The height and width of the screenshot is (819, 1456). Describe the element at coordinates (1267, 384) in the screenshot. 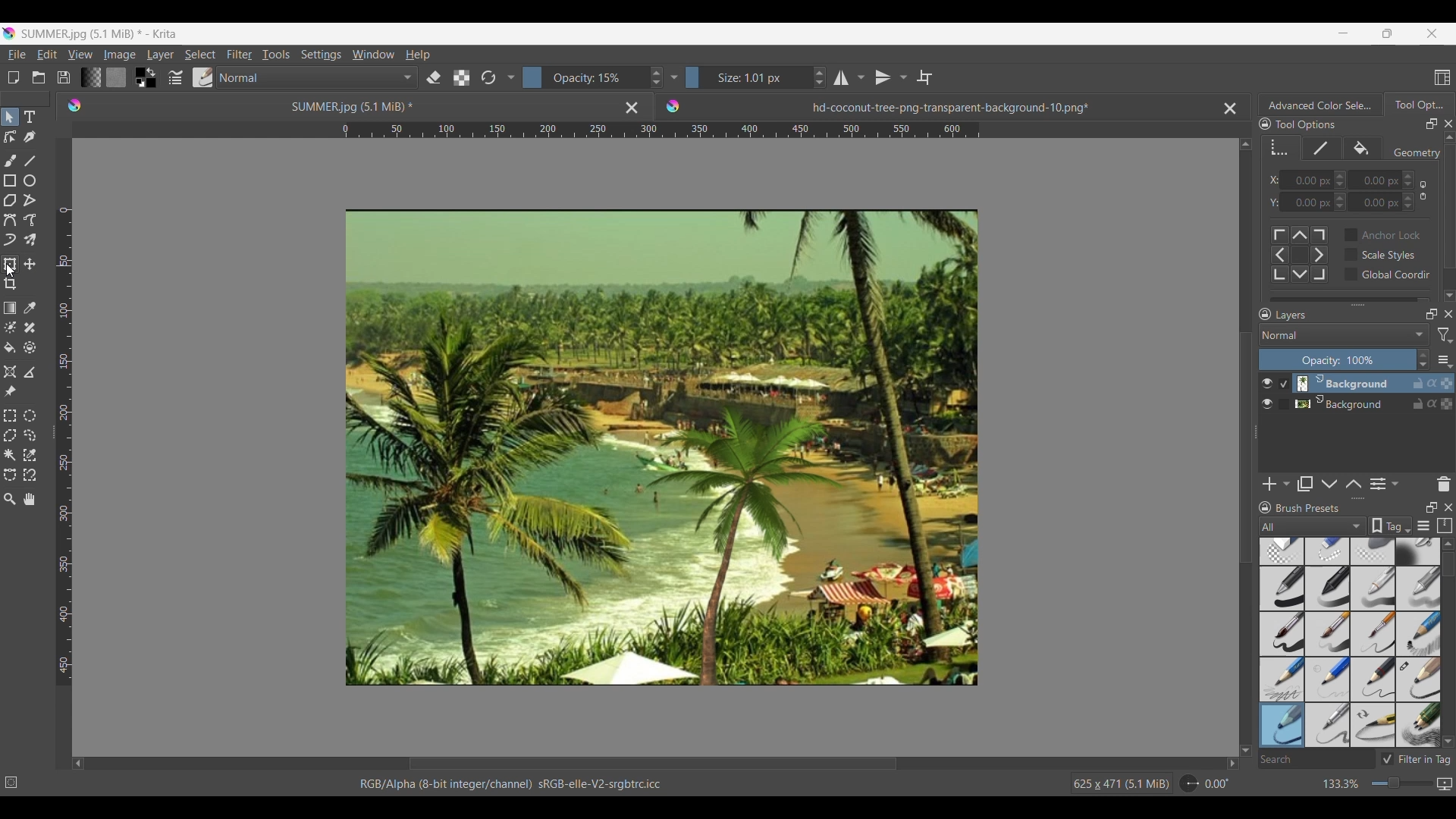

I see `Show/Hide layer` at that location.